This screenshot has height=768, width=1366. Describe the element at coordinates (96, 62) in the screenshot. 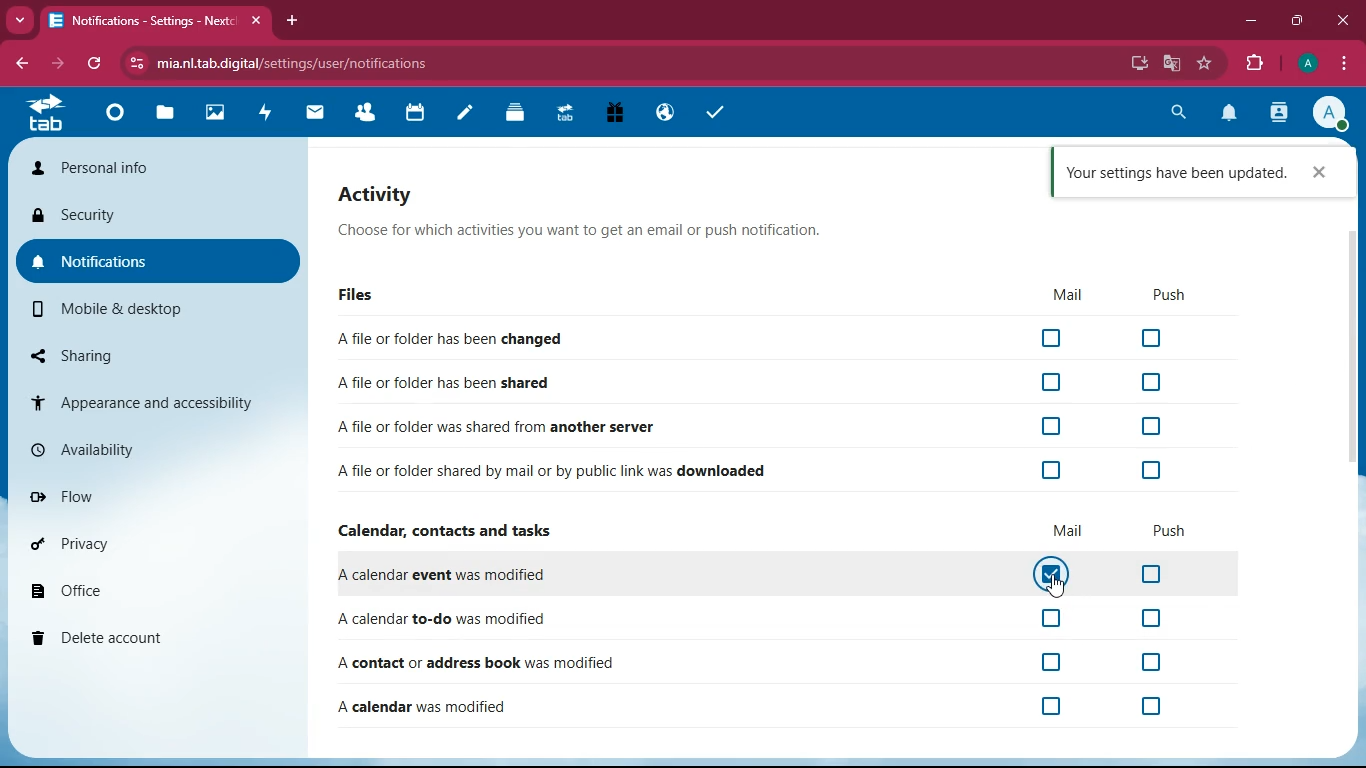

I see `refresh` at that location.